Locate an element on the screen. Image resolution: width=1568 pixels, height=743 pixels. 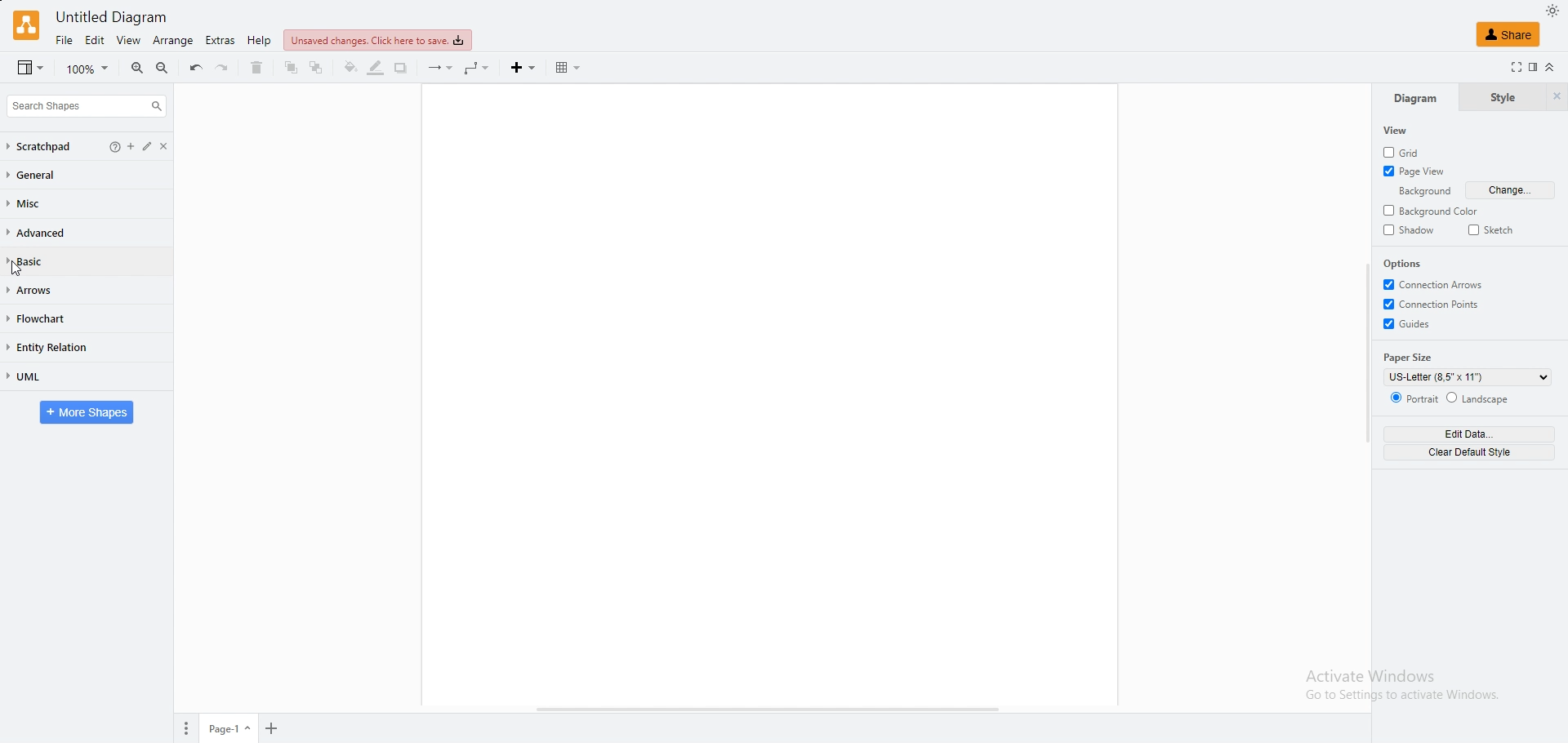
zoom percentage is located at coordinates (89, 69).